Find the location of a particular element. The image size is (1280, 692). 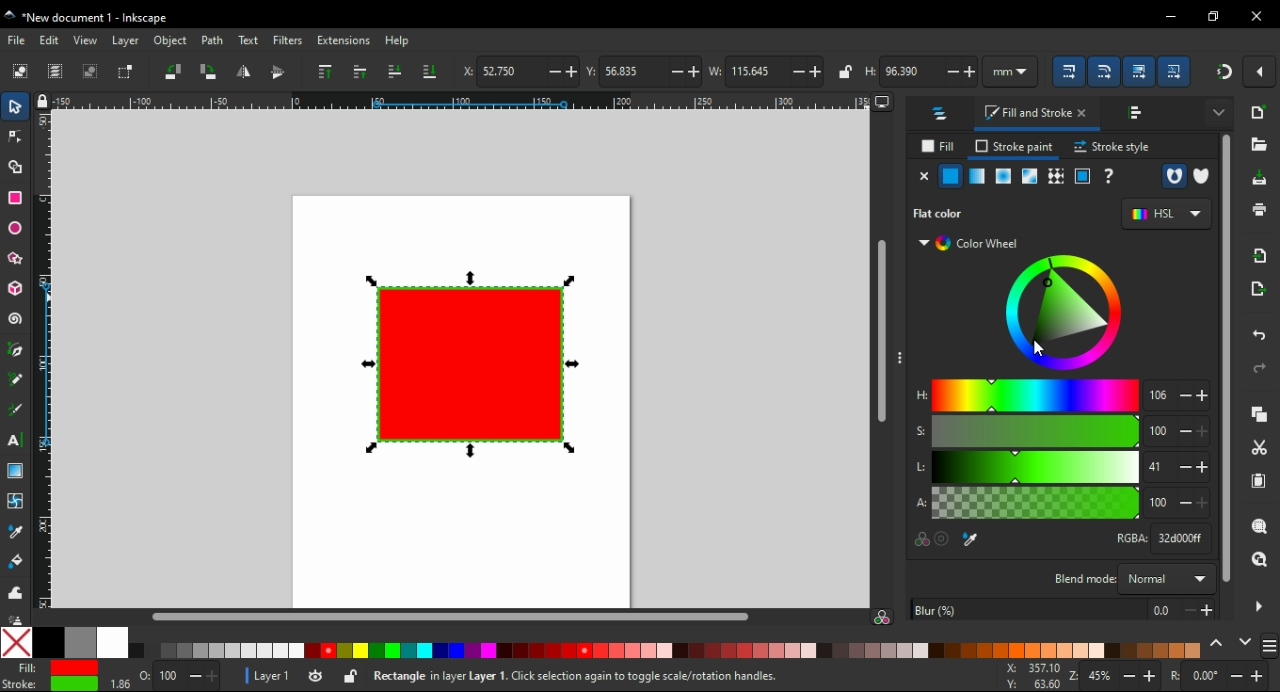

increase/decrease is located at coordinates (1196, 503).